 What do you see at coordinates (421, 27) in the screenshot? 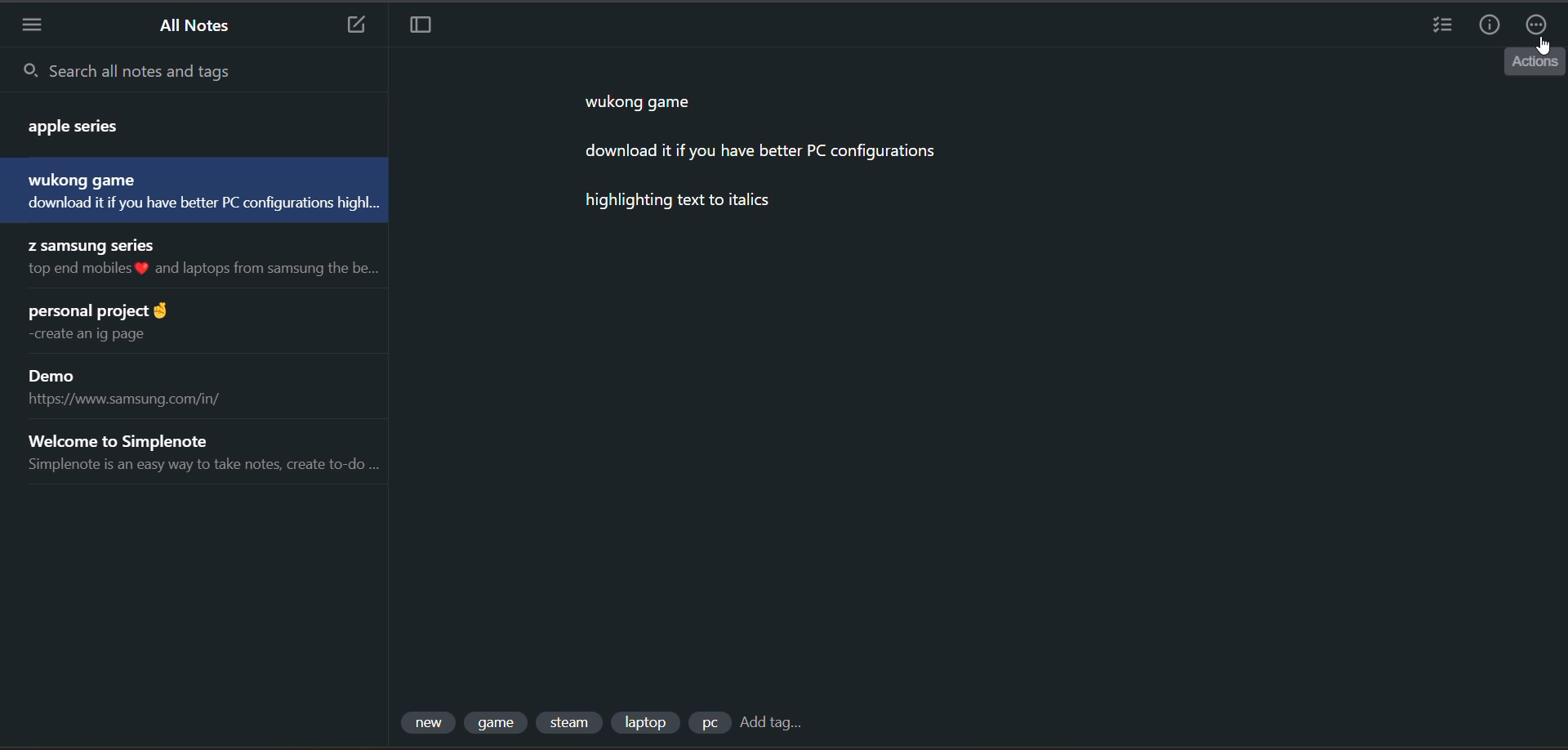
I see `toggle focus mode` at bounding box center [421, 27].